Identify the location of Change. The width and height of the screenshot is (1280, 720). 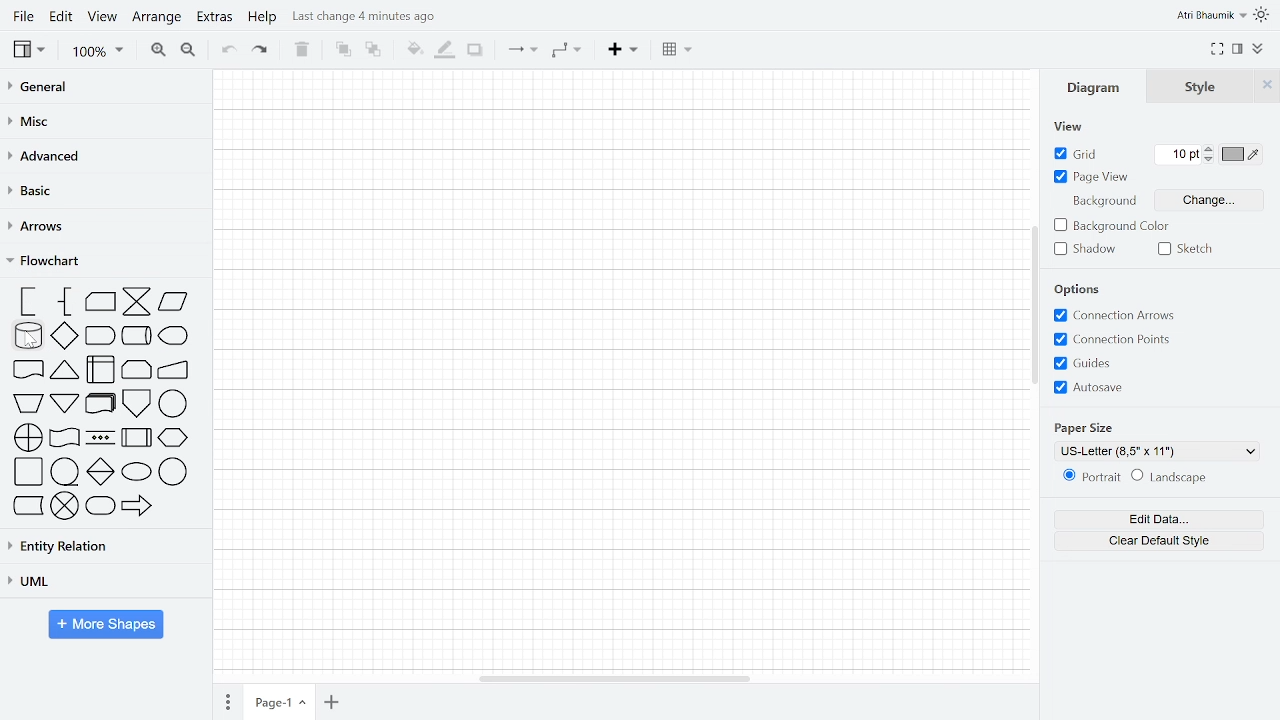
(1211, 200).